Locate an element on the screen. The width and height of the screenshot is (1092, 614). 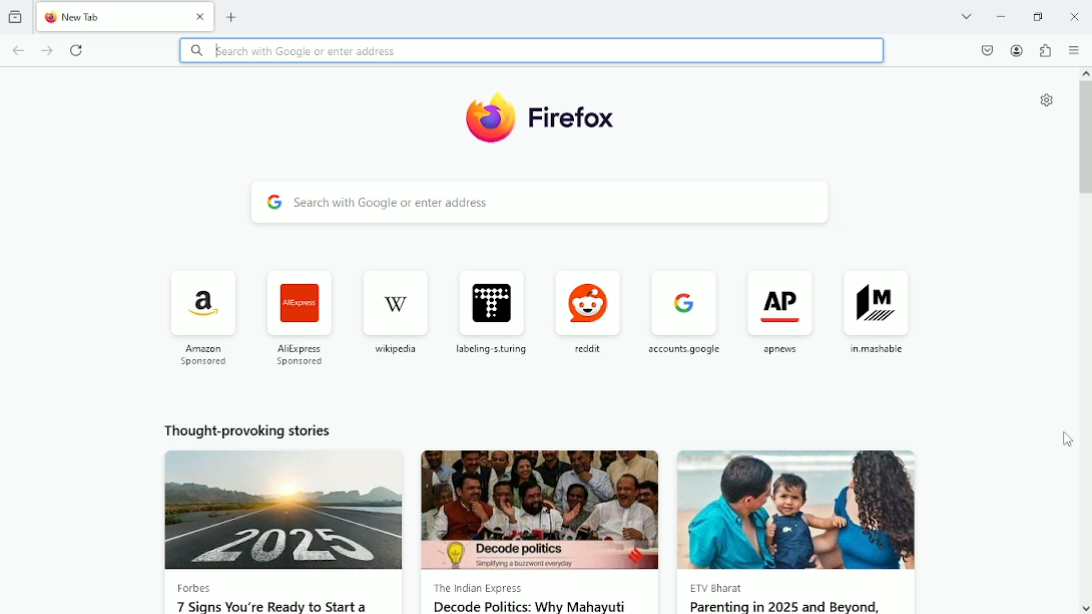
scroll down is located at coordinates (1084, 606).